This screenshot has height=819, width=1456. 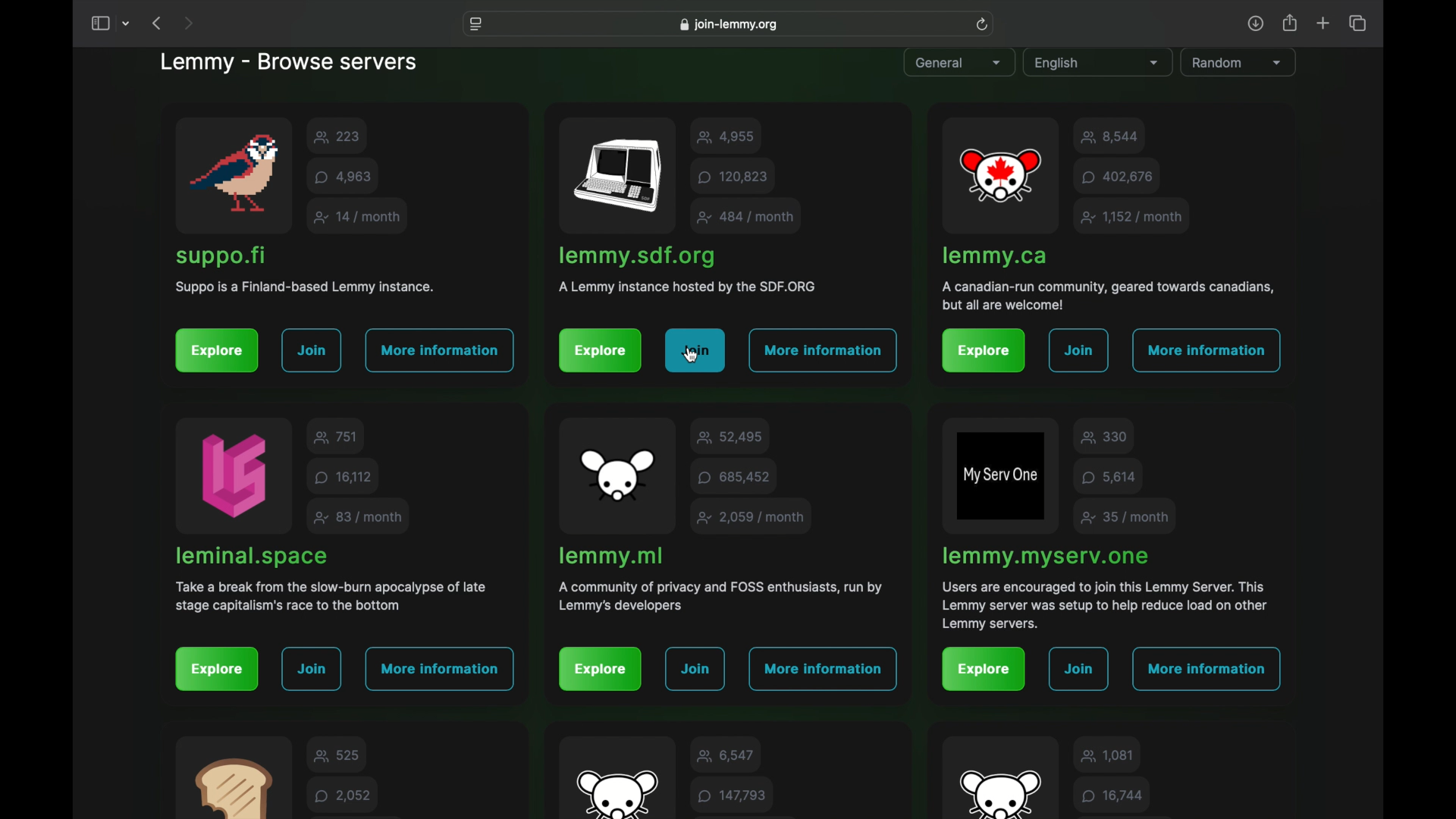 I want to click on server icon, so click(x=620, y=177).